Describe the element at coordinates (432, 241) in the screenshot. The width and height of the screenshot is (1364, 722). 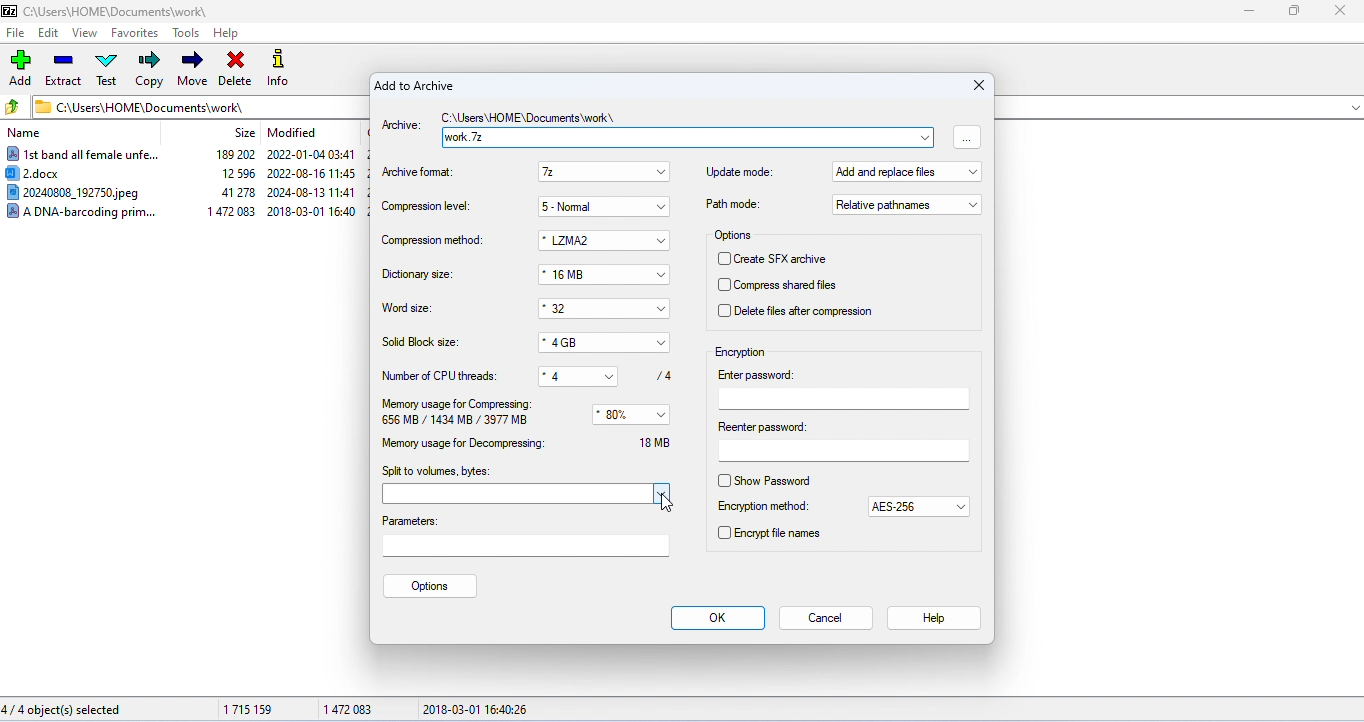
I see `compression method` at that location.